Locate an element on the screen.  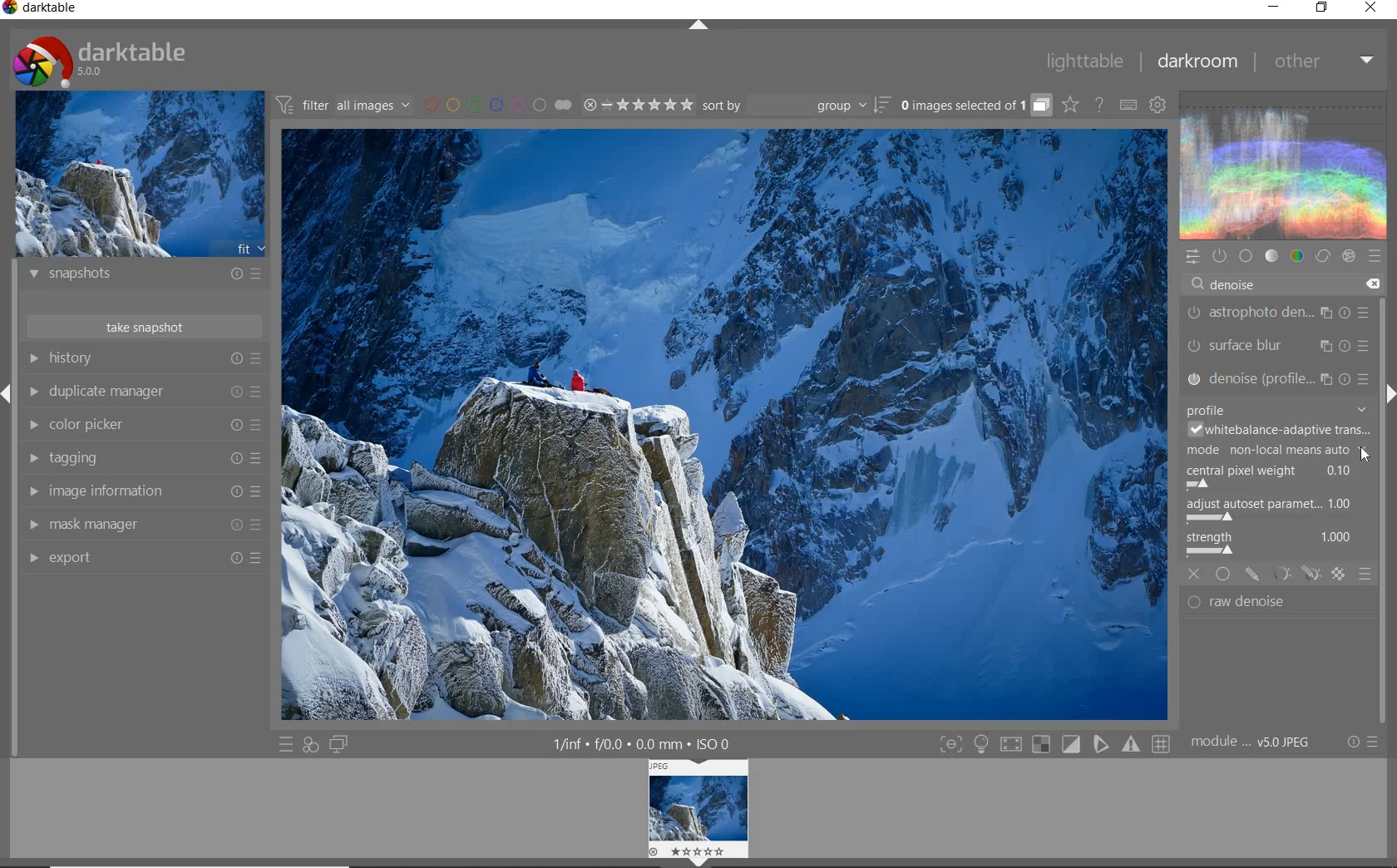
expand/collapse is located at coordinates (697, 26).